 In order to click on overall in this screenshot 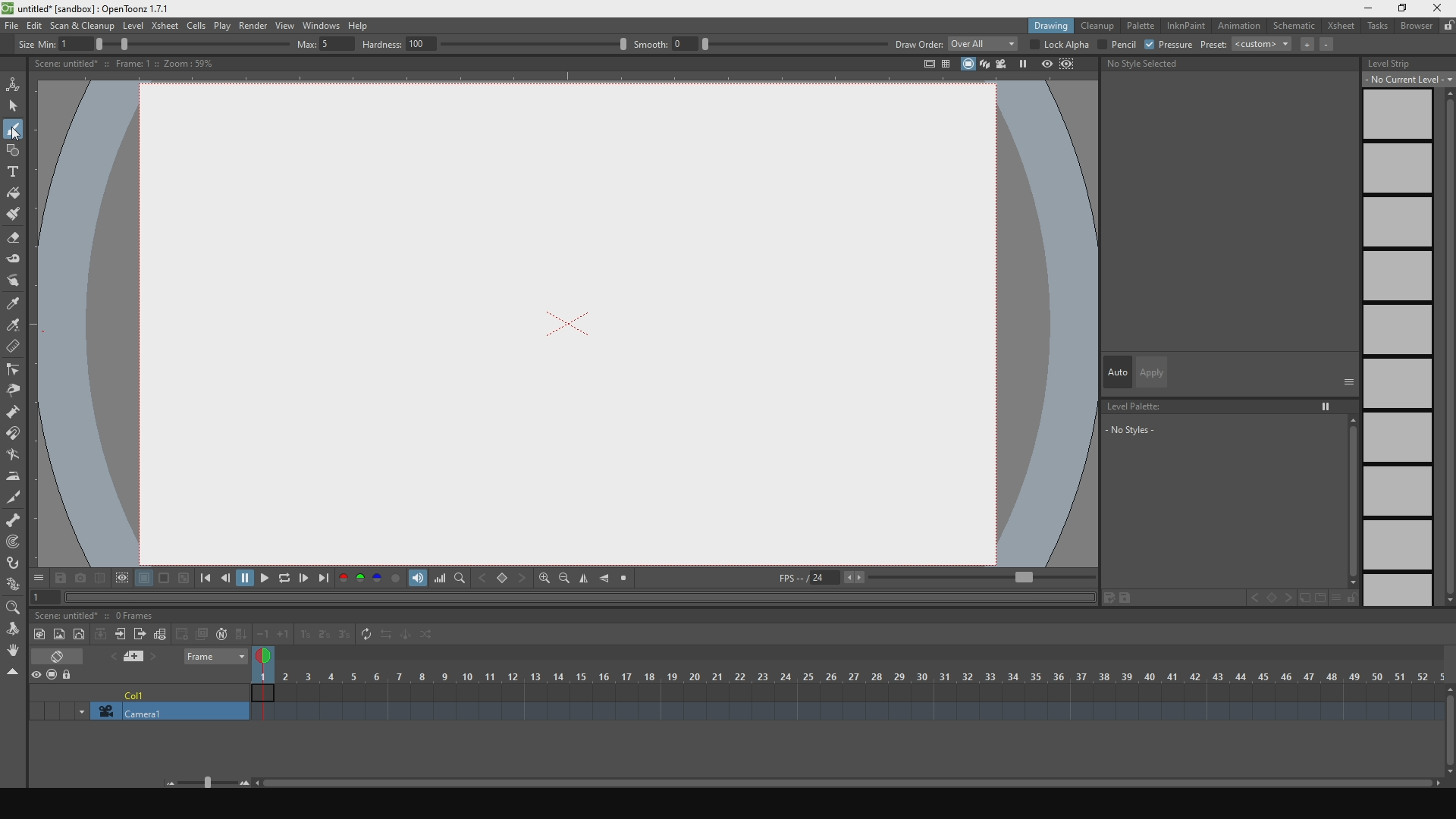, I will do `click(983, 44)`.